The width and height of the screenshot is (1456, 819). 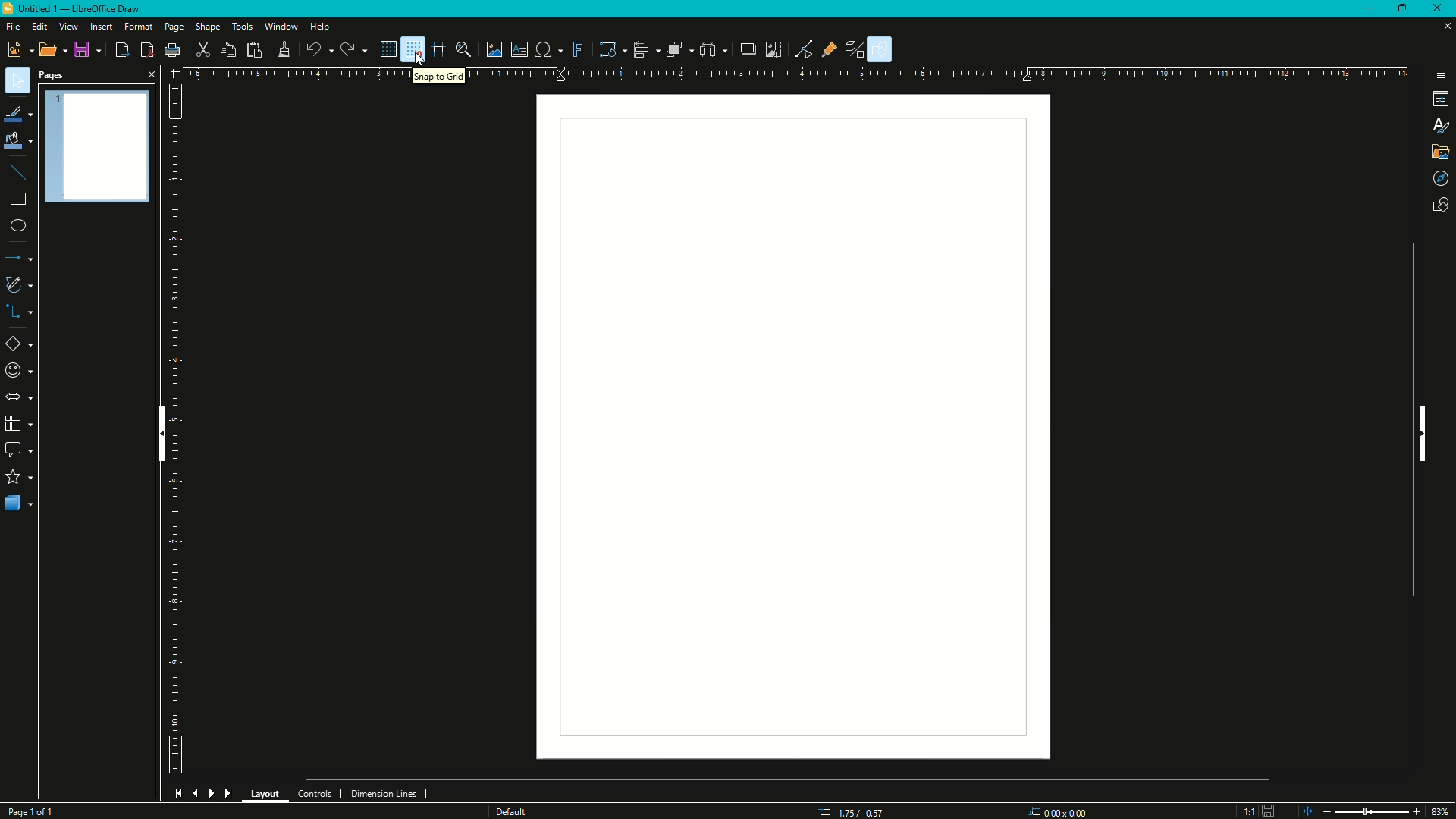 What do you see at coordinates (138, 26) in the screenshot?
I see `Formate` at bounding box center [138, 26].